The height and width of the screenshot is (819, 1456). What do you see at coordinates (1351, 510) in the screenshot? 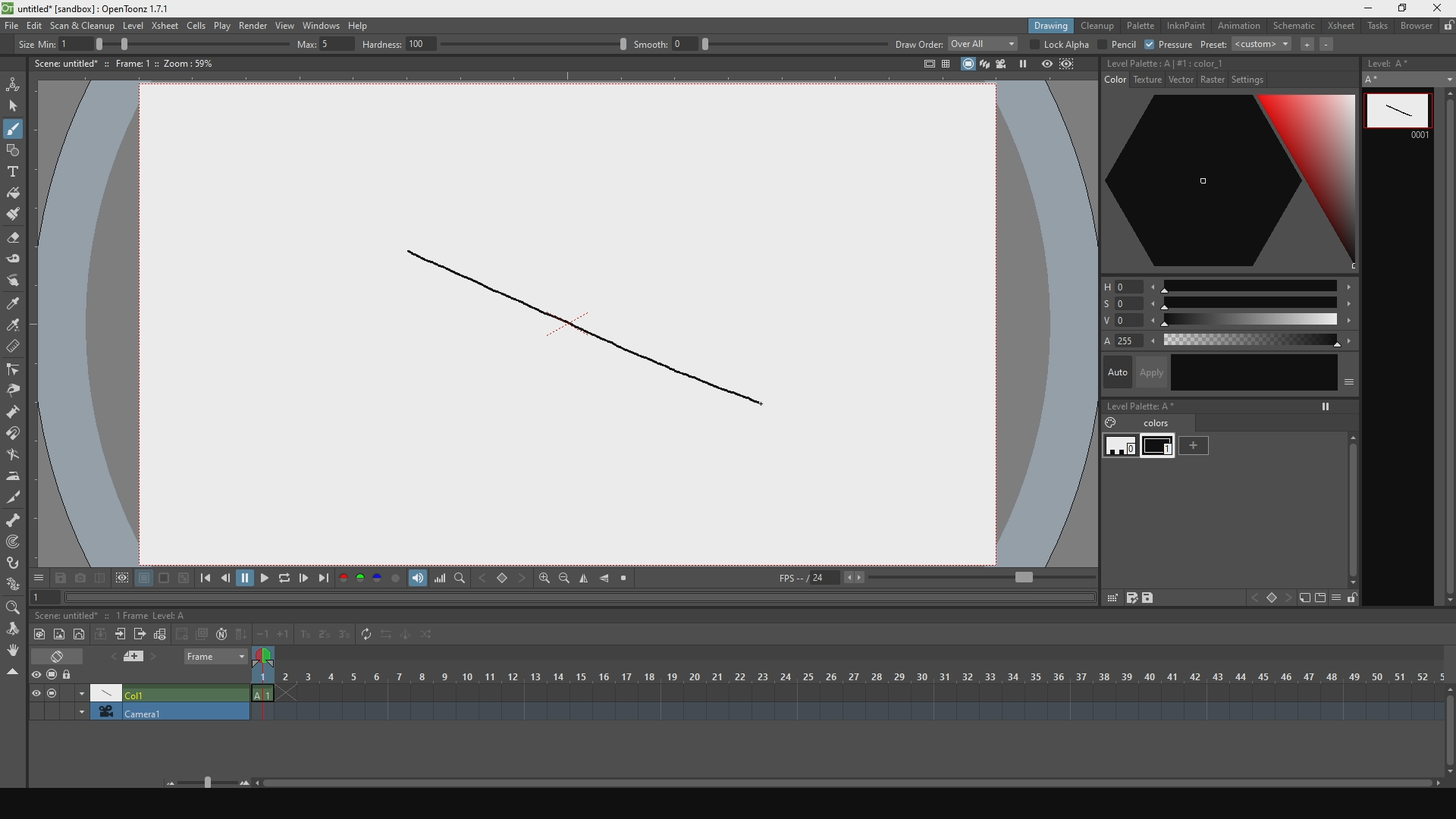
I see `scroll bar` at bounding box center [1351, 510].